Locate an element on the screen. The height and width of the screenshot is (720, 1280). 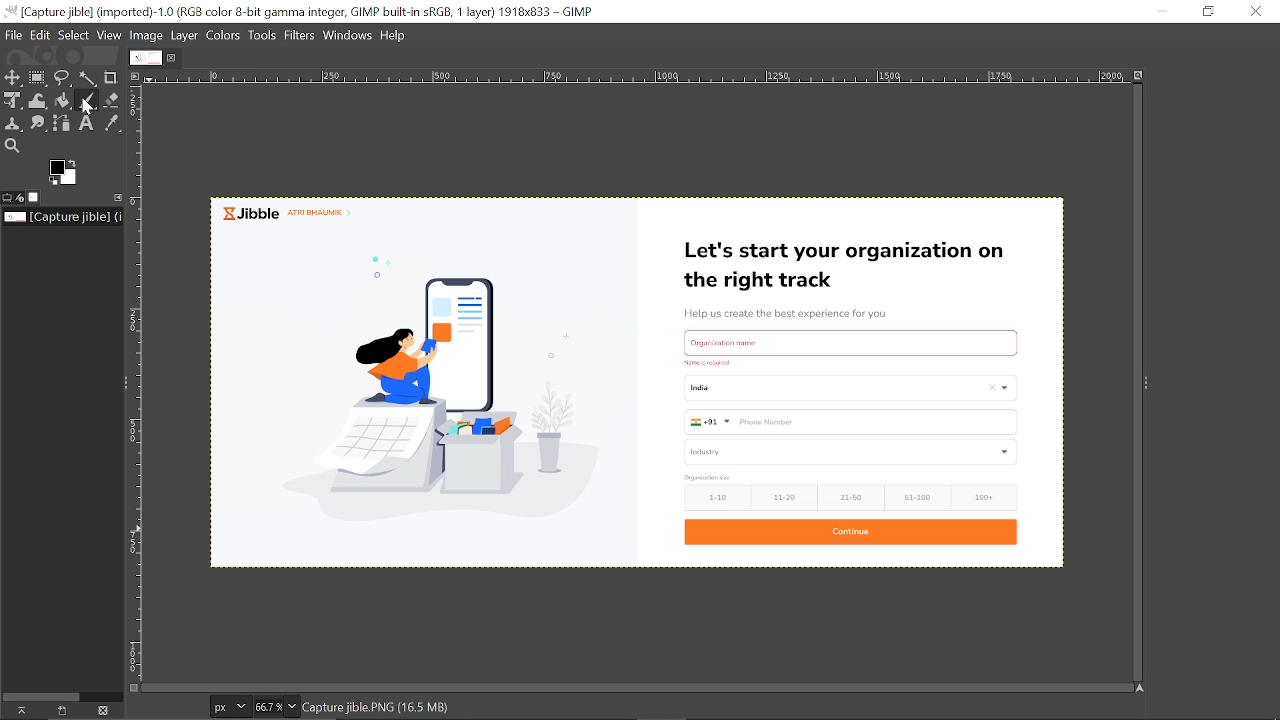
Device status is located at coordinates (22, 198).